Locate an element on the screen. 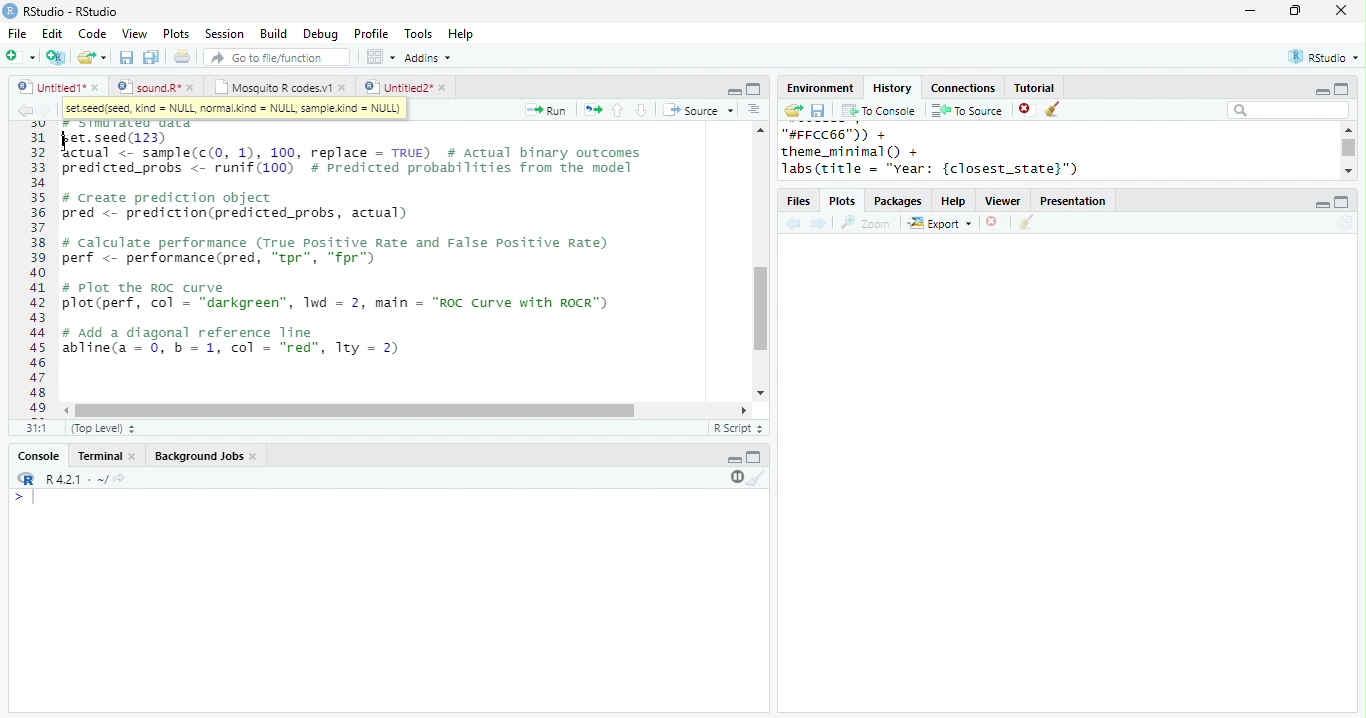 This screenshot has width=1366, height=718. # Create prediction object
pred <- prediction(predicted_probs, actual) is located at coordinates (234, 207).